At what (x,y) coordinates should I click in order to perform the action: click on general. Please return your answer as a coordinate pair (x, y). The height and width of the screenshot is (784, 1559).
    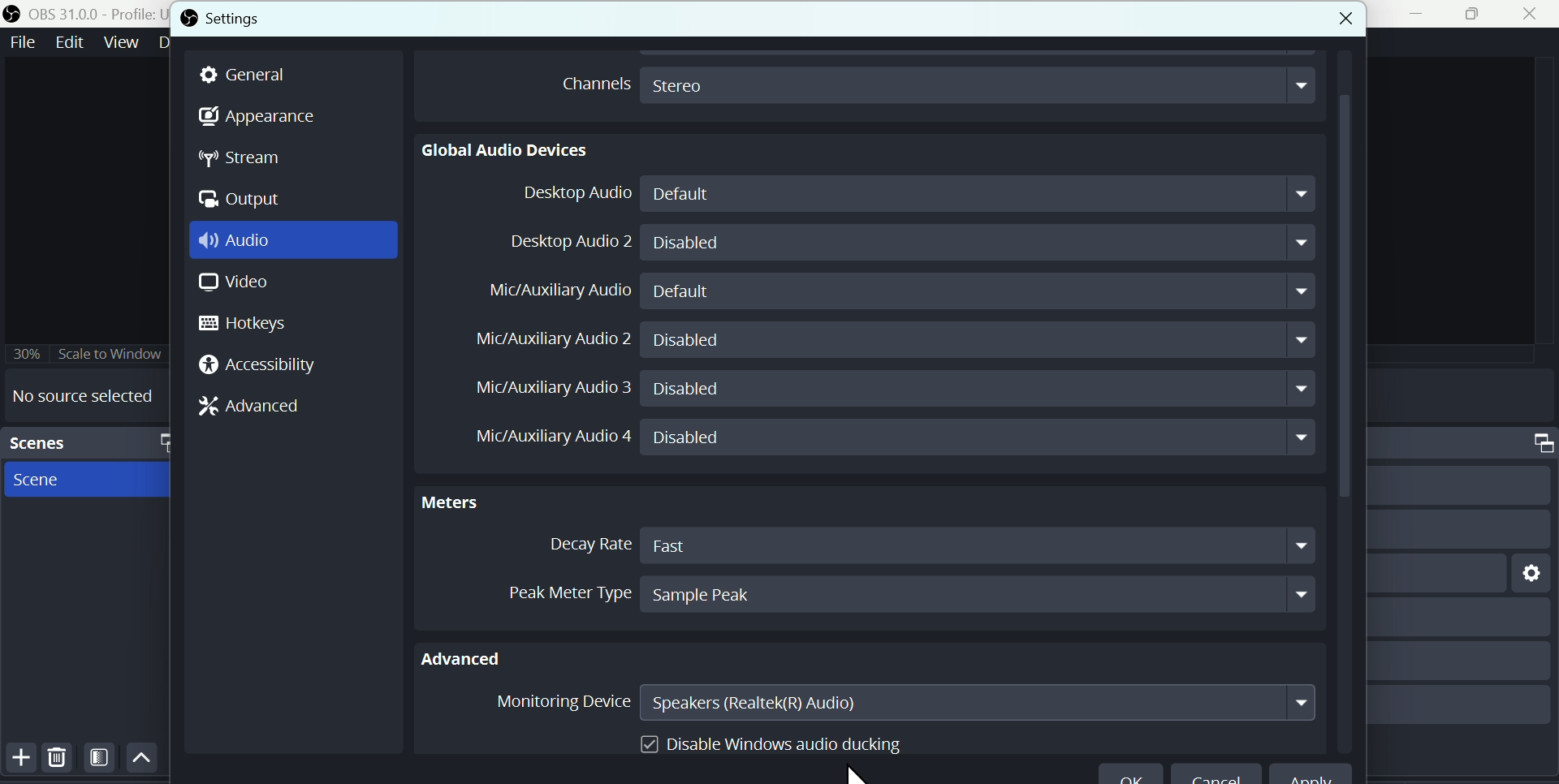
    Looking at the image, I should click on (252, 75).